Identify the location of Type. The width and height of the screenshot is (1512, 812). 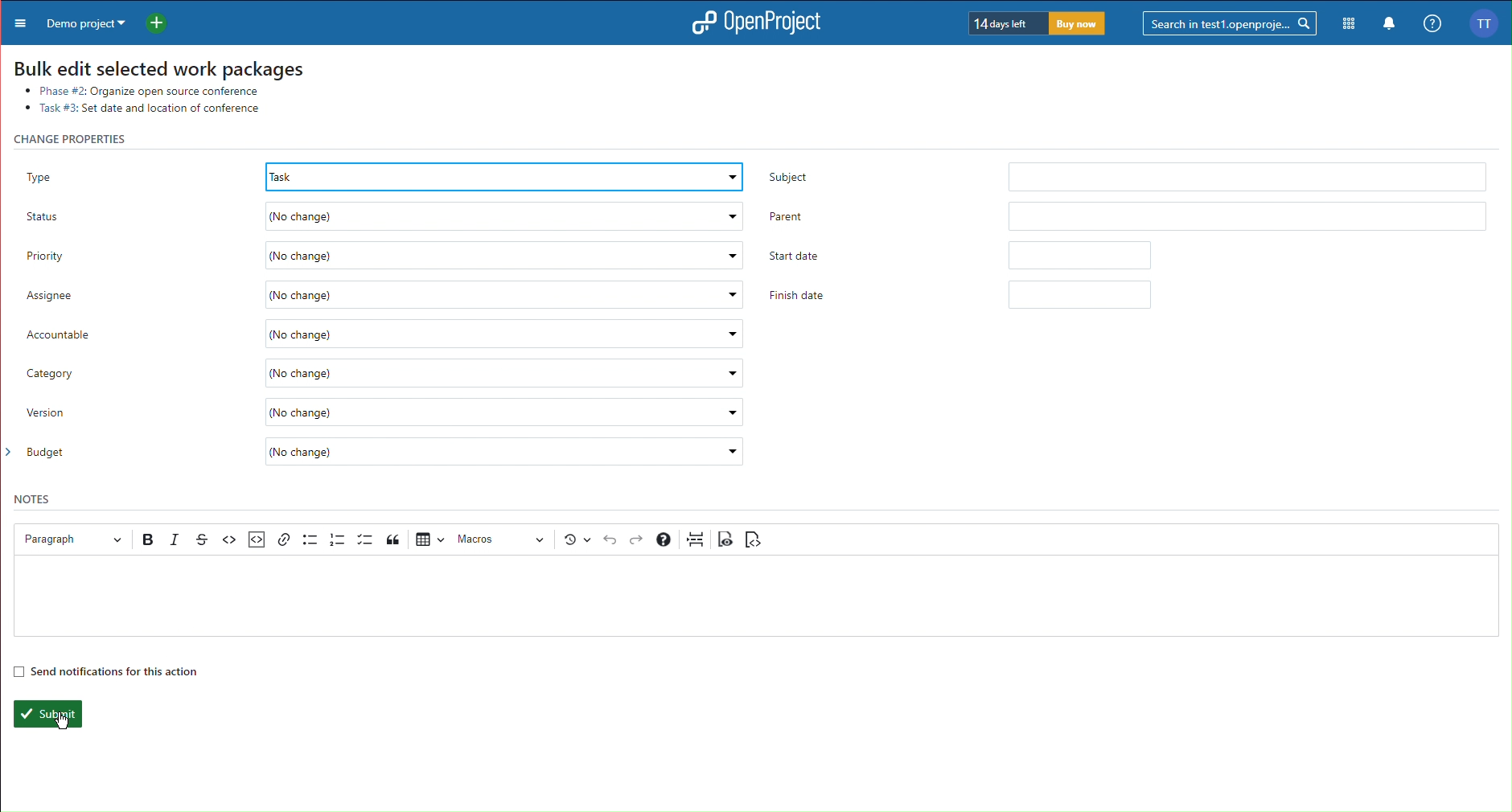
(381, 173).